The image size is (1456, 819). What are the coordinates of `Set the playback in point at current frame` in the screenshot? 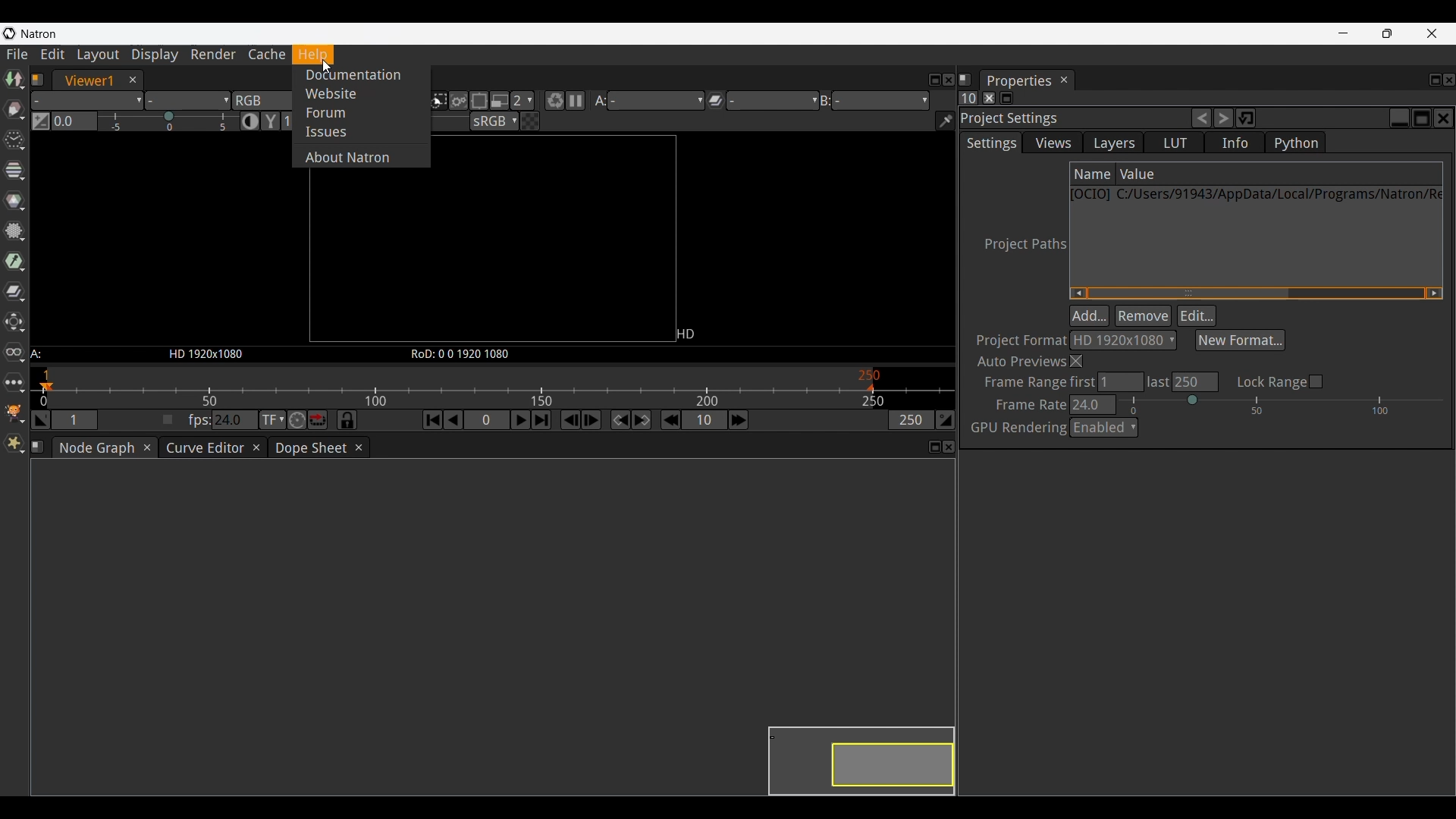 It's located at (40, 419).